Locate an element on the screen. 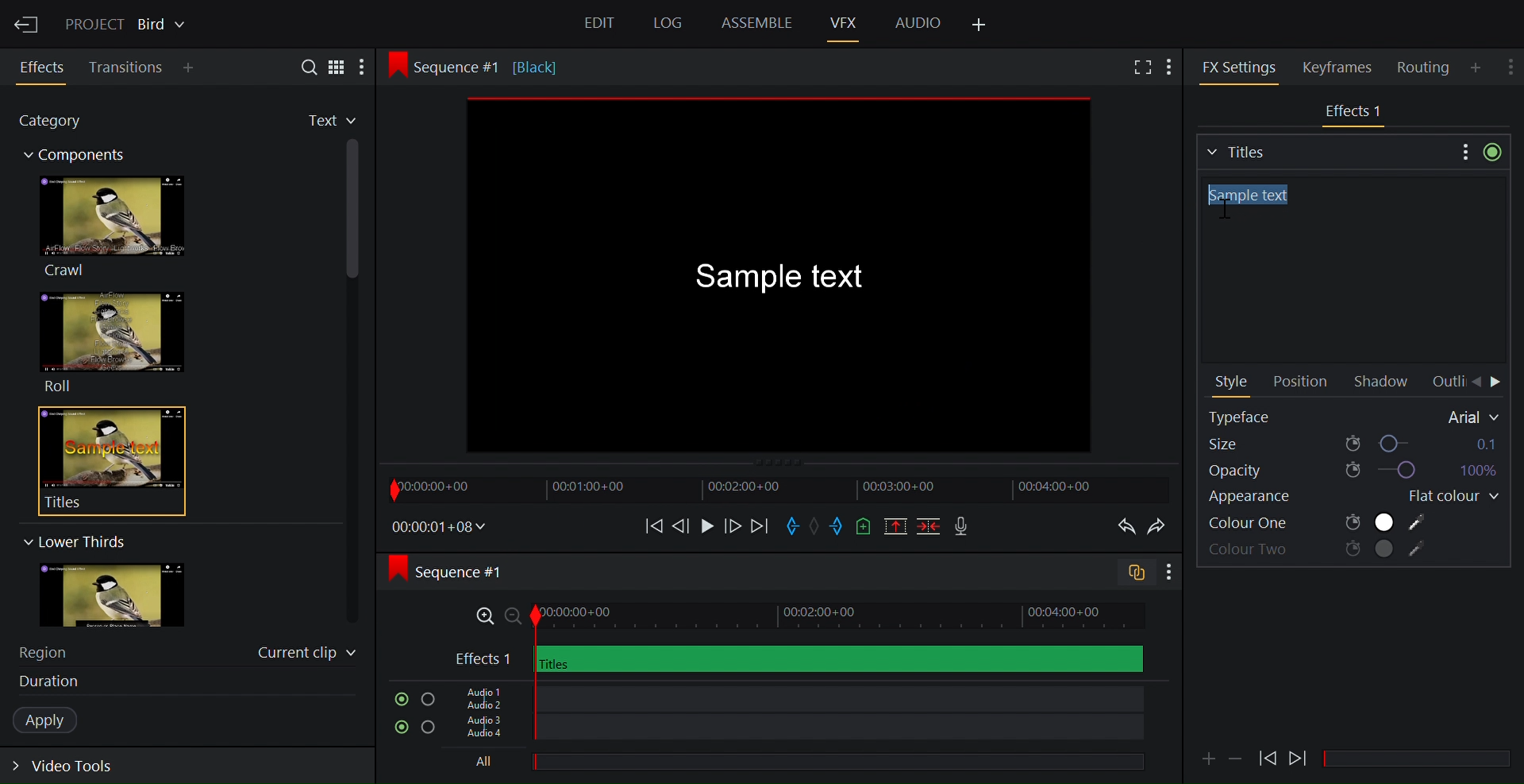 This screenshot has width=1524, height=784. Color two is located at coordinates (1319, 551).